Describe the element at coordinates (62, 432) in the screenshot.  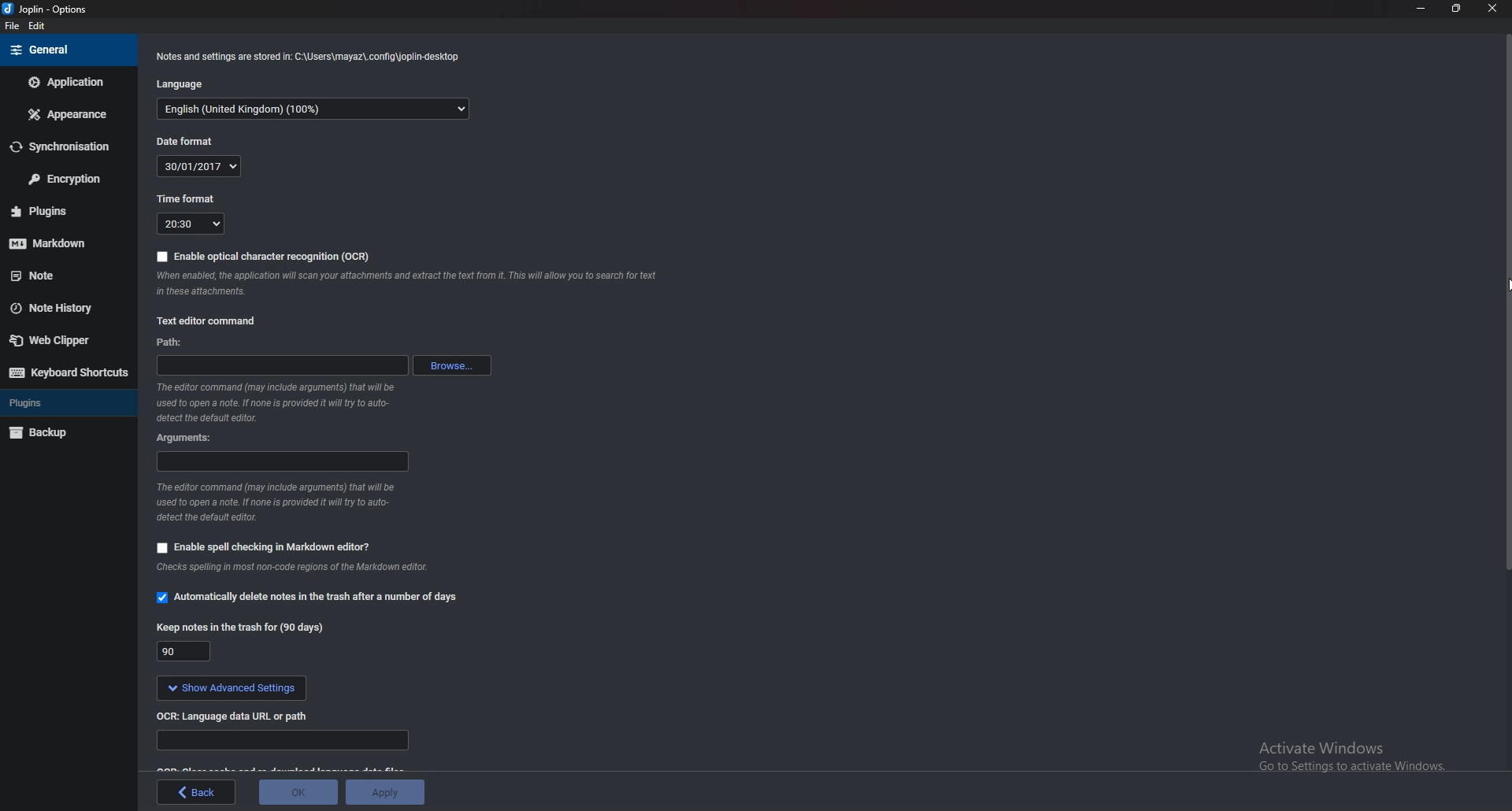
I see `Back up` at that location.